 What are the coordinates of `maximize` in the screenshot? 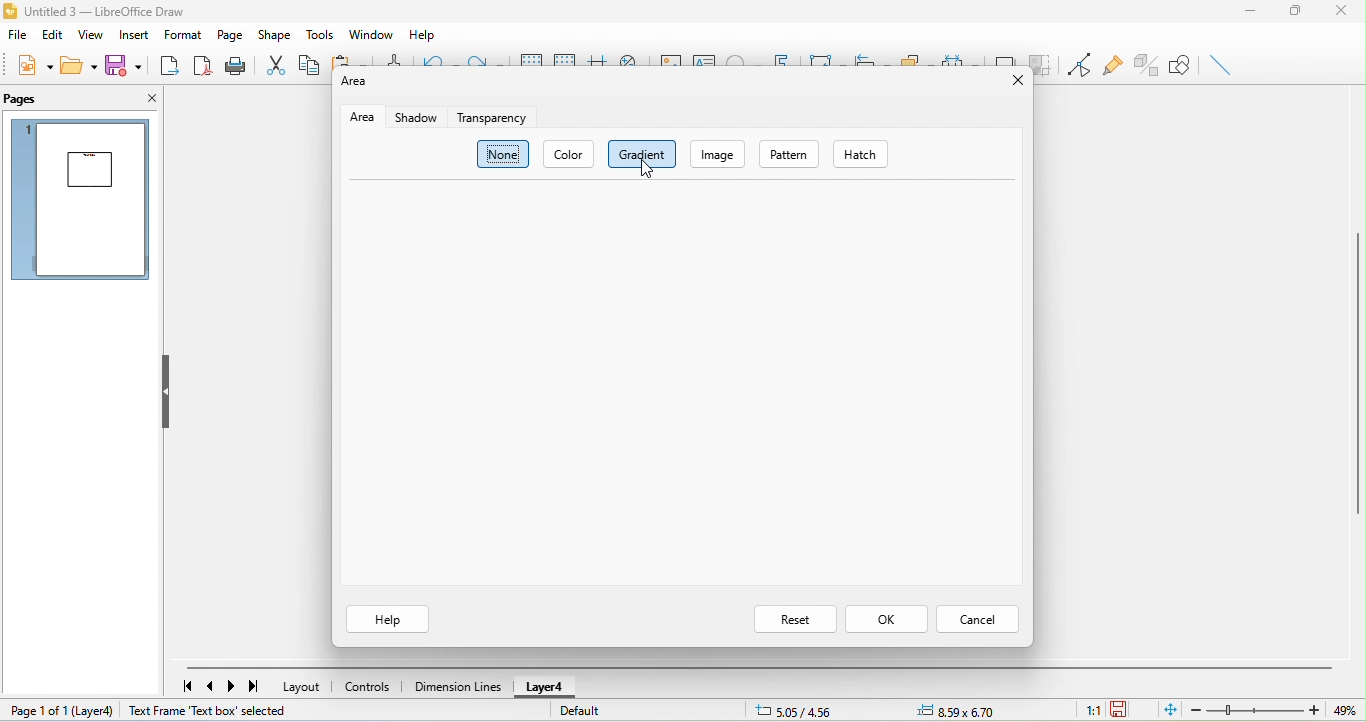 It's located at (1296, 11).